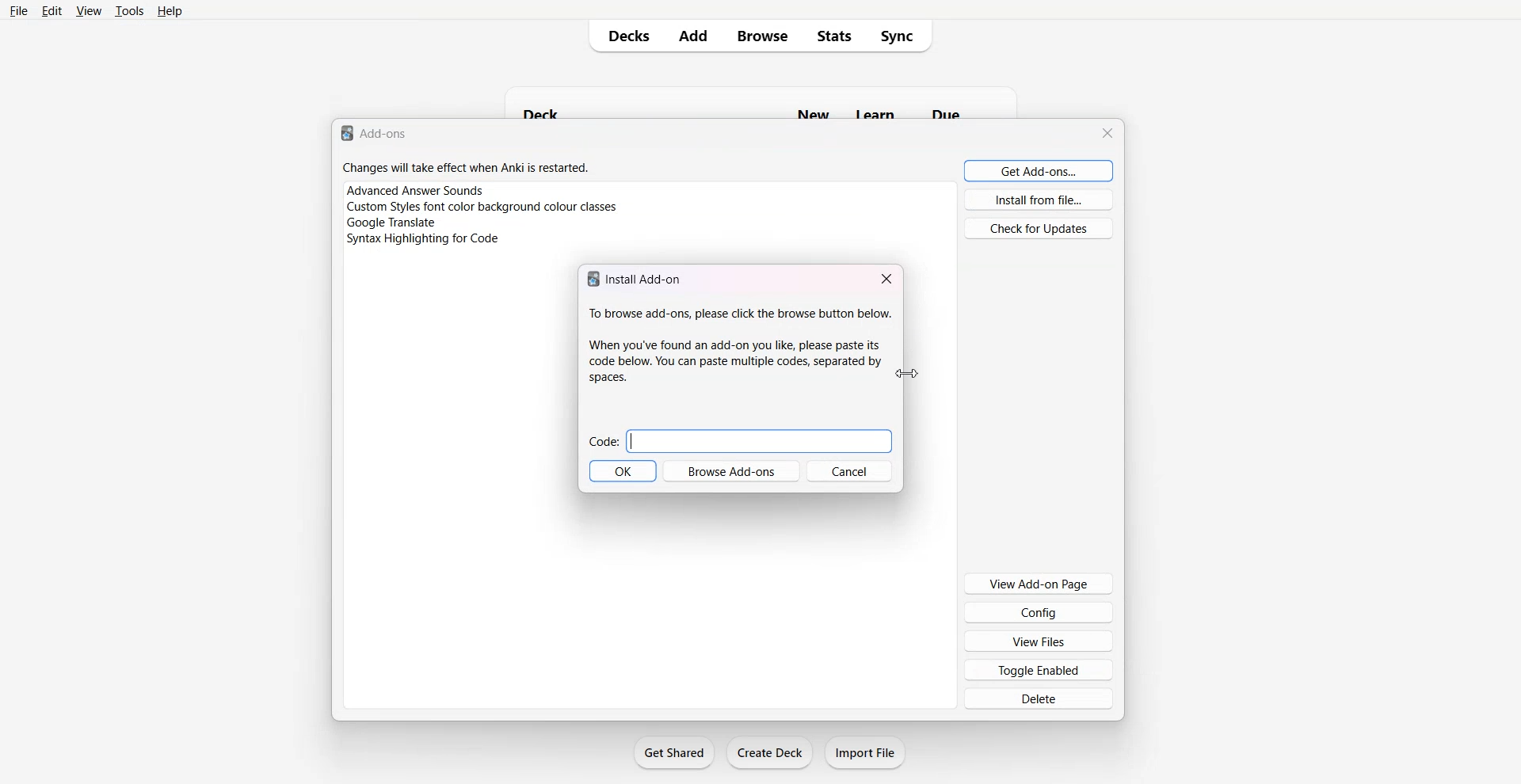 This screenshot has width=1521, height=784. Describe the element at coordinates (1039, 200) in the screenshot. I see `Install from file` at that location.